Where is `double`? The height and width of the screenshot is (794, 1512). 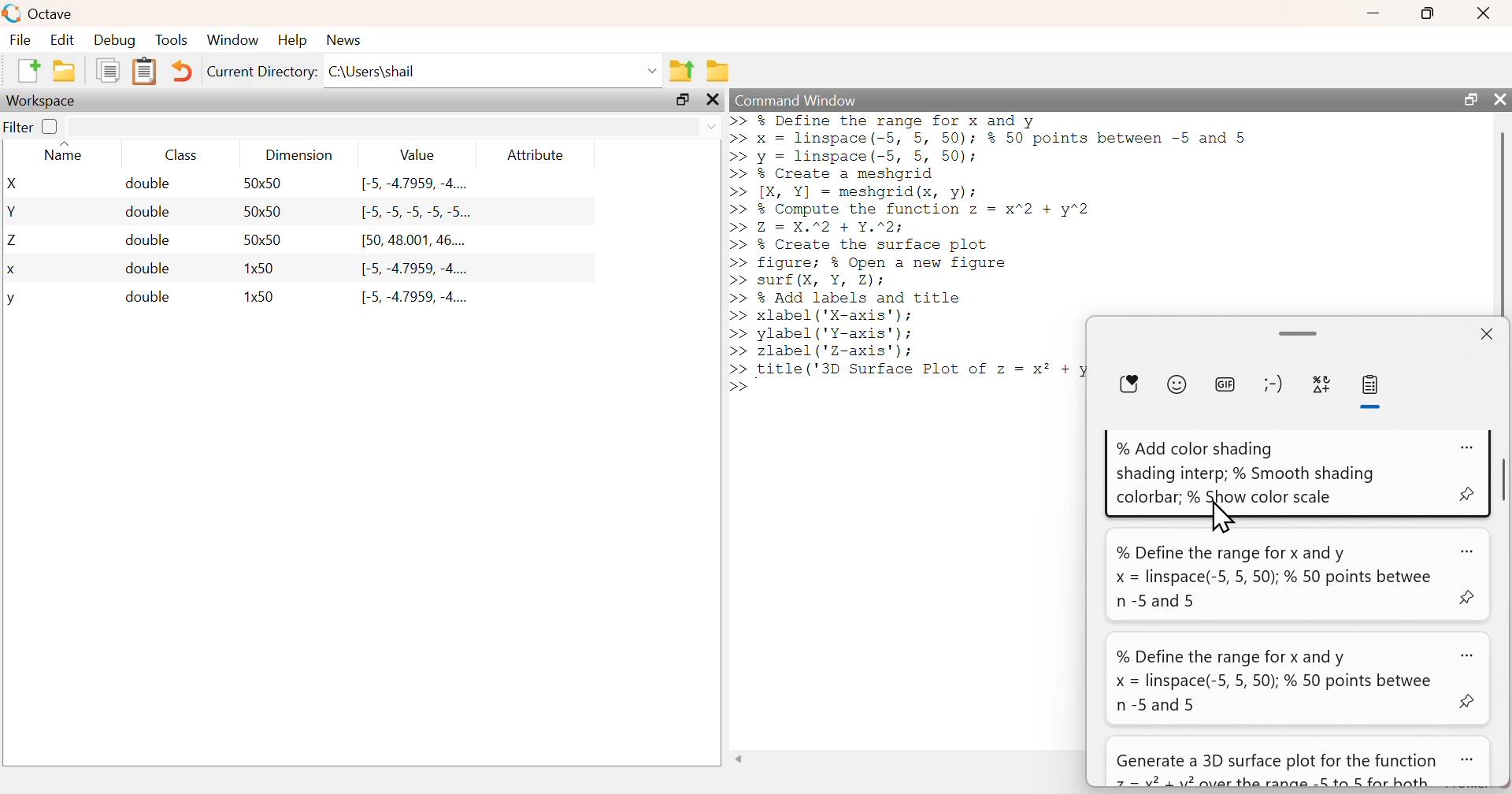
double is located at coordinates (147, 212).